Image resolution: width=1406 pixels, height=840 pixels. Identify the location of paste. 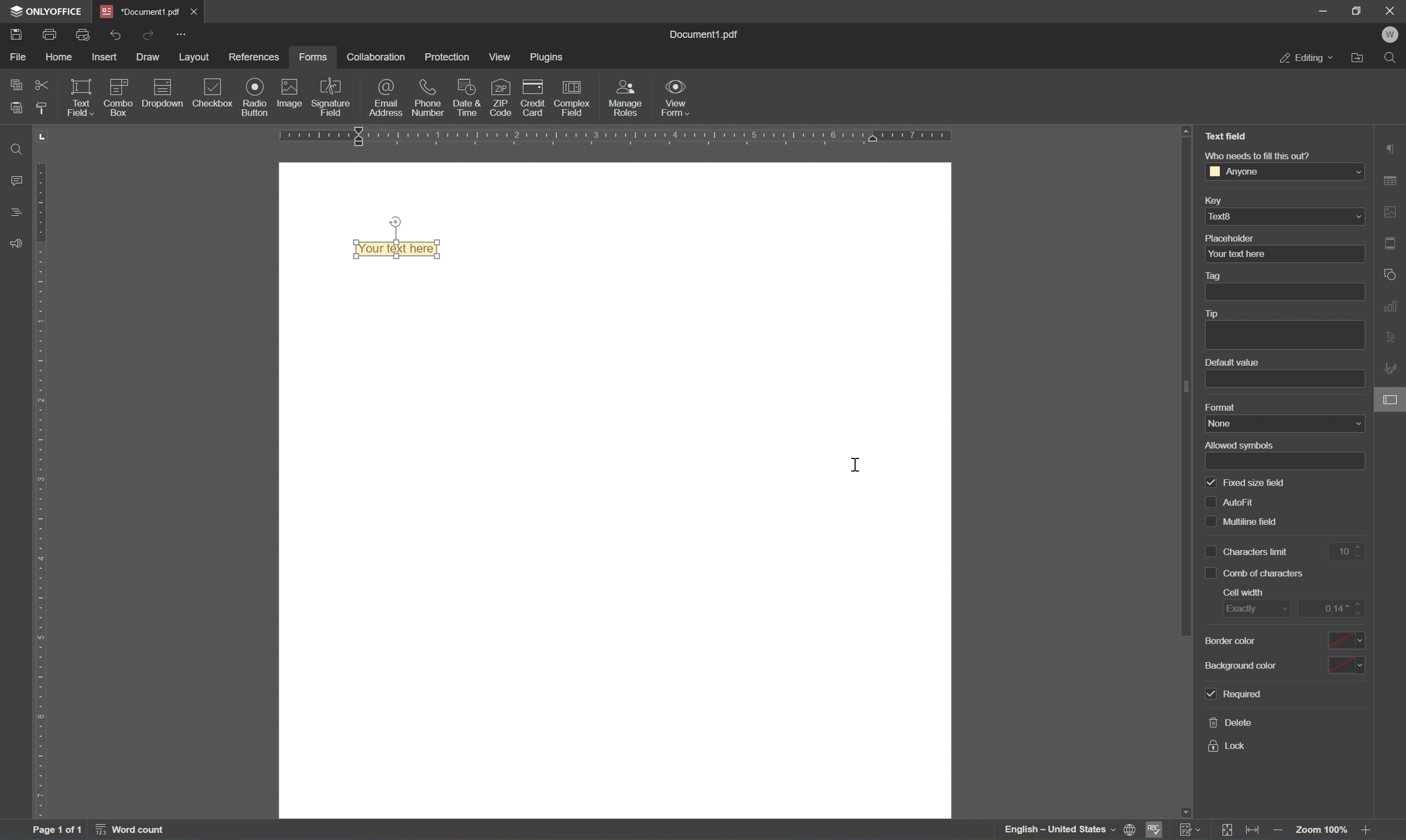
(16, 108).